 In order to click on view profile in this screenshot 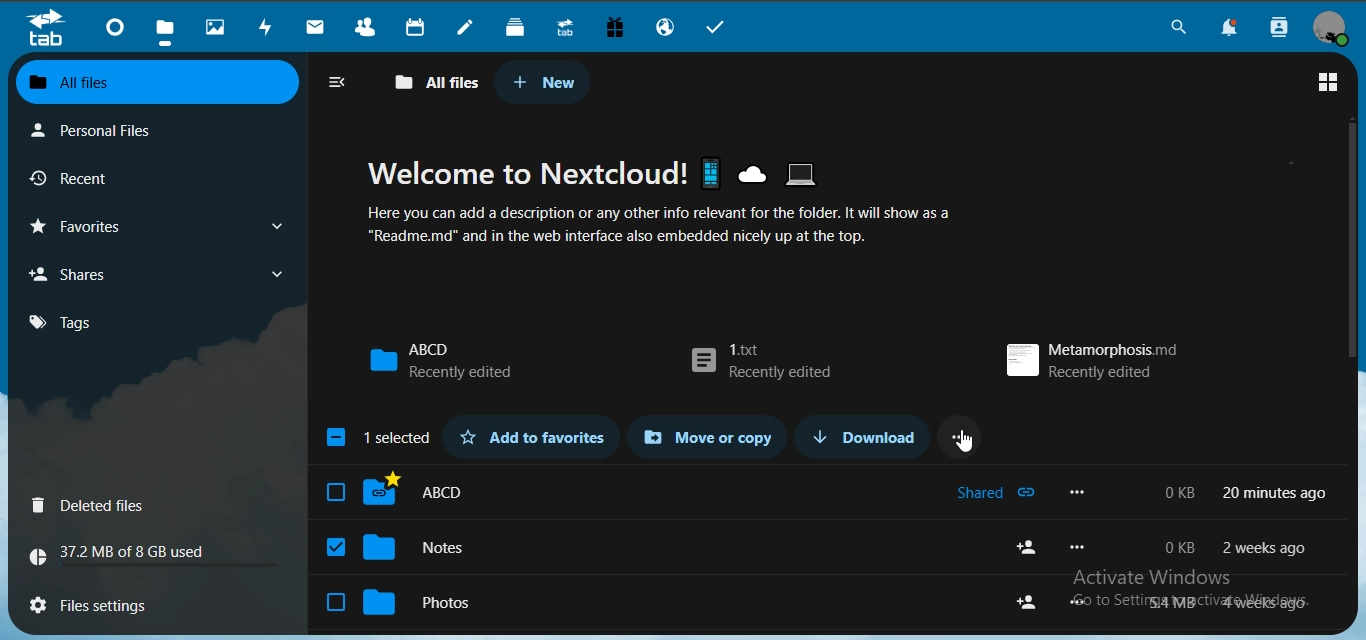, I will do `click(1334, 27)`.